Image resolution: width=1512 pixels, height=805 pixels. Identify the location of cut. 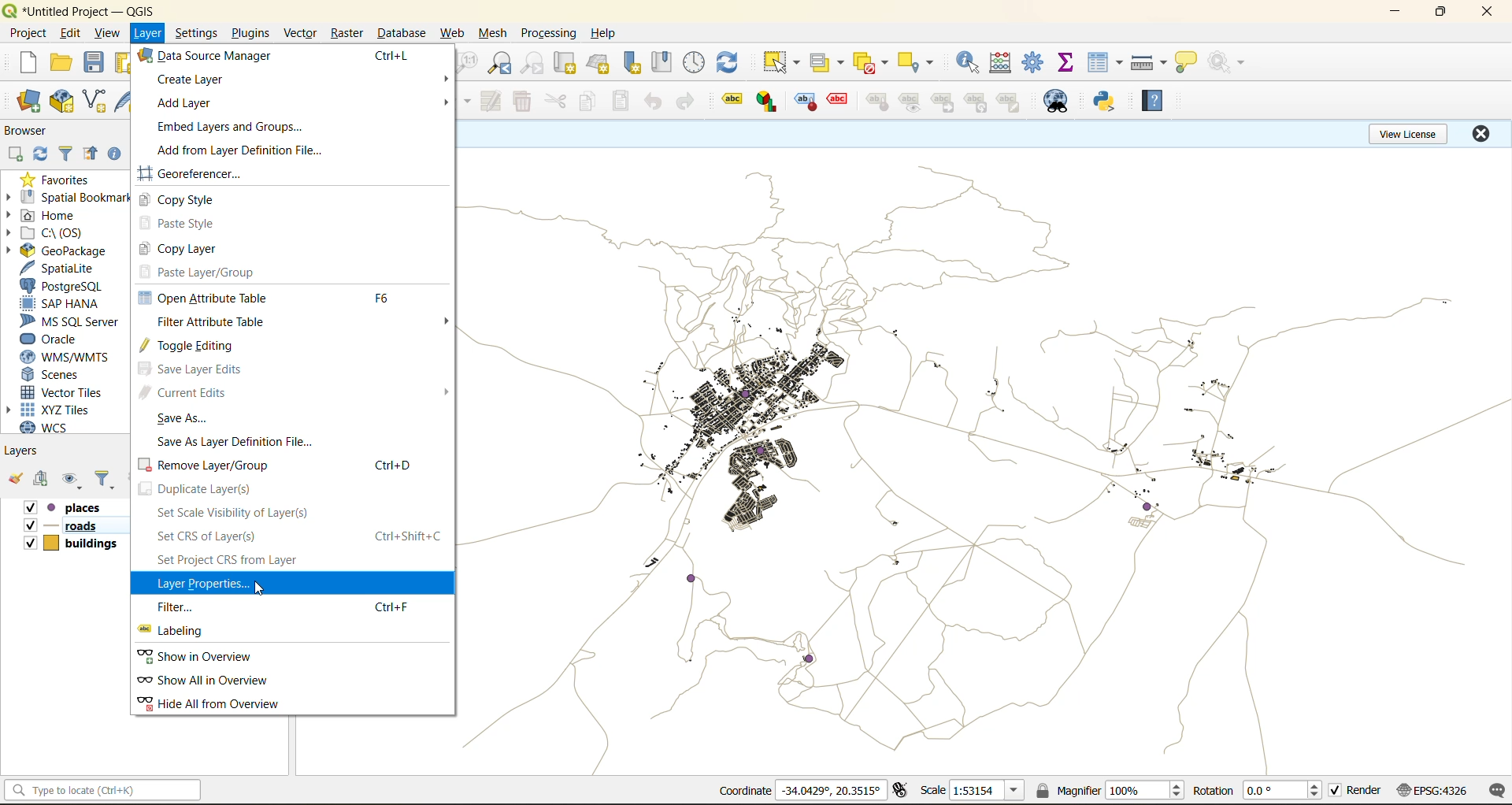
(558, 102).